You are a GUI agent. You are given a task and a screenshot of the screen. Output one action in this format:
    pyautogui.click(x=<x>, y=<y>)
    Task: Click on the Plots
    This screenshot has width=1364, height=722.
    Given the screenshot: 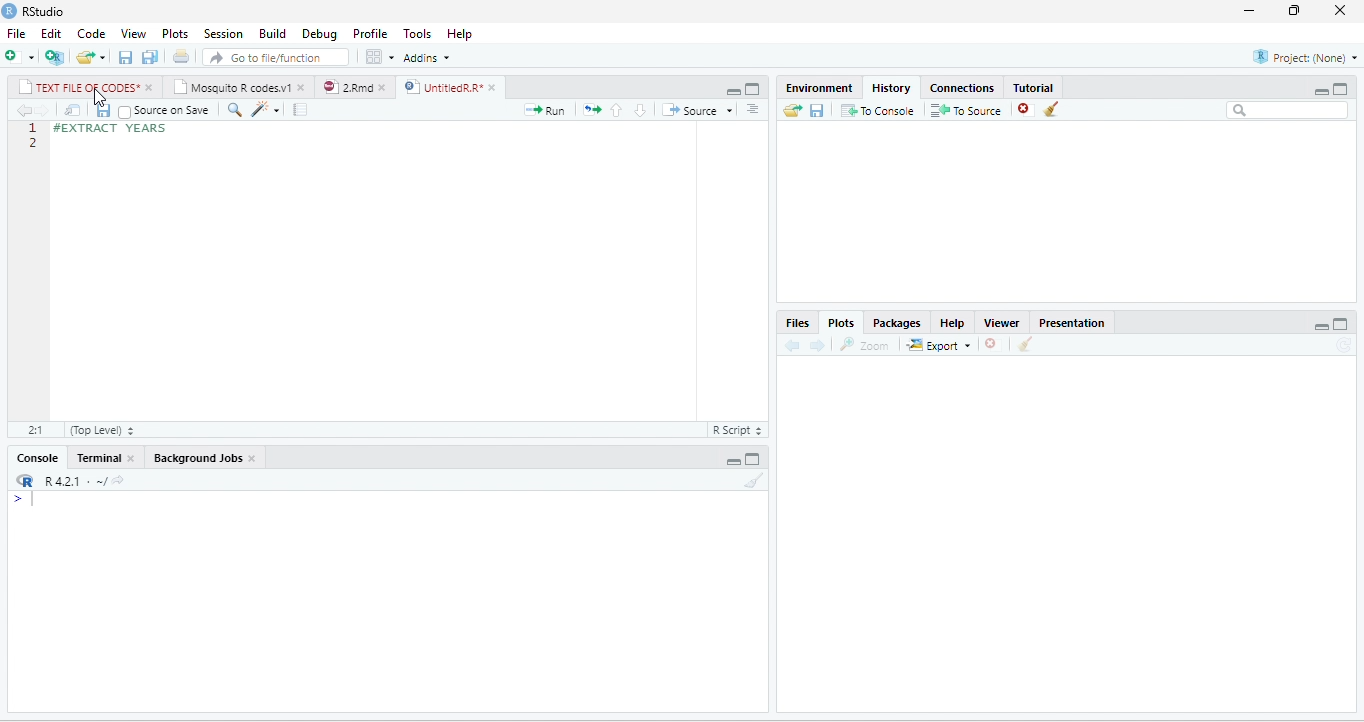 What is the action you would take?
    pyautogui.click(x=841, y=322)
    